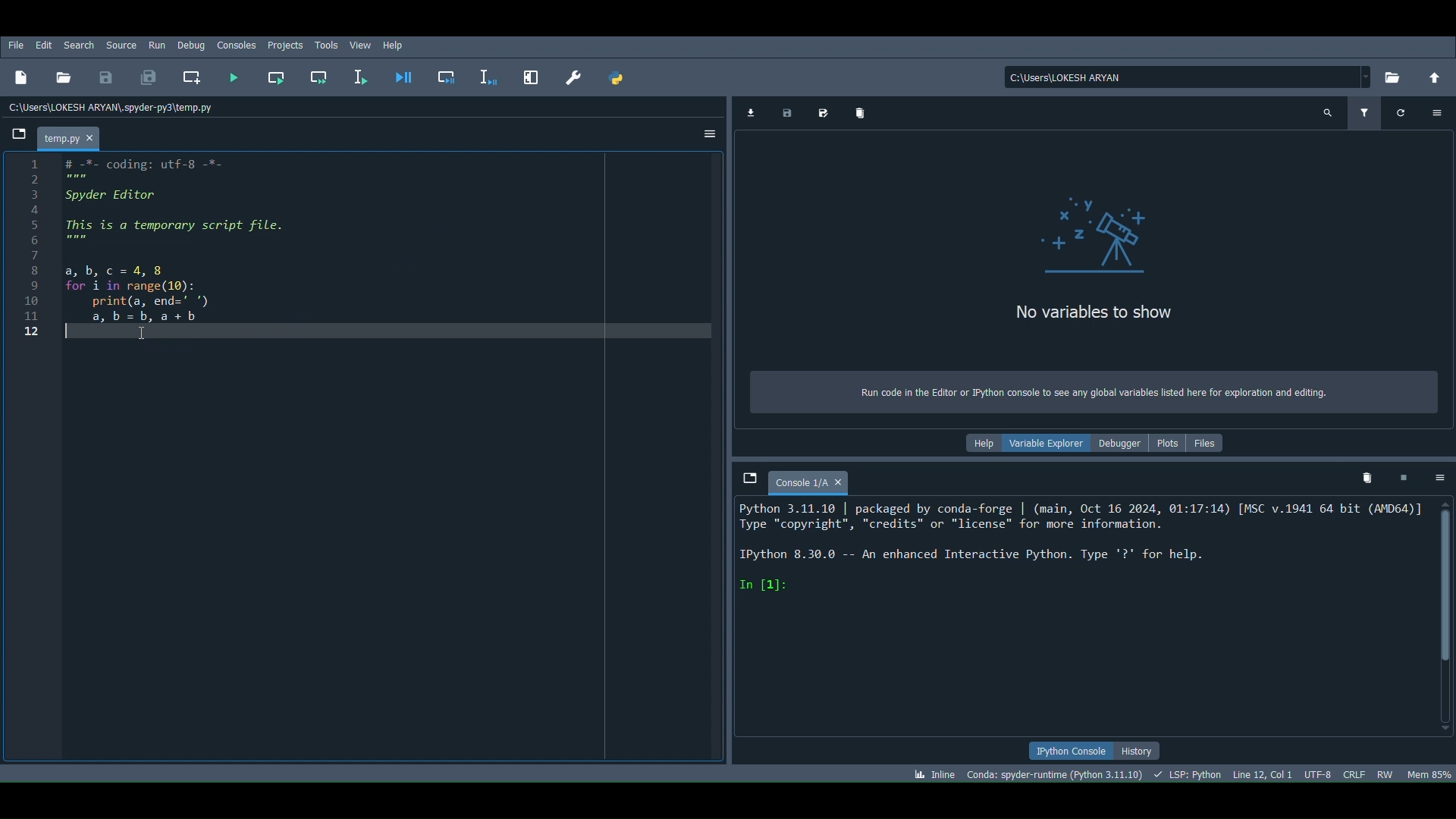  Describe the element at coordinates (237, 45) in the screenshot. I see `Consoles` at that location.